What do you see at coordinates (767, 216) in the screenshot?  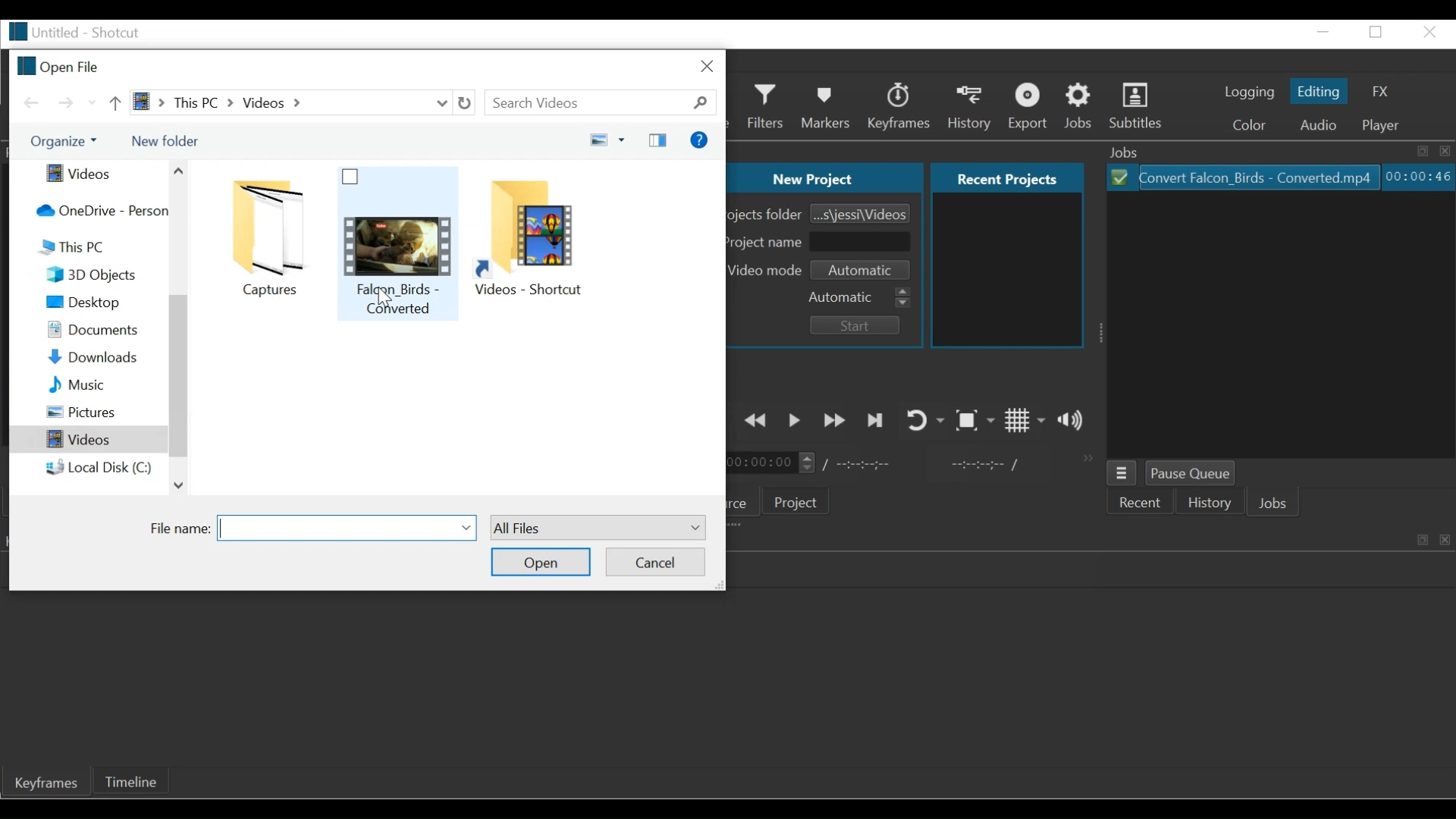 I see `Projects Folder` at bounding box center [767, 216].